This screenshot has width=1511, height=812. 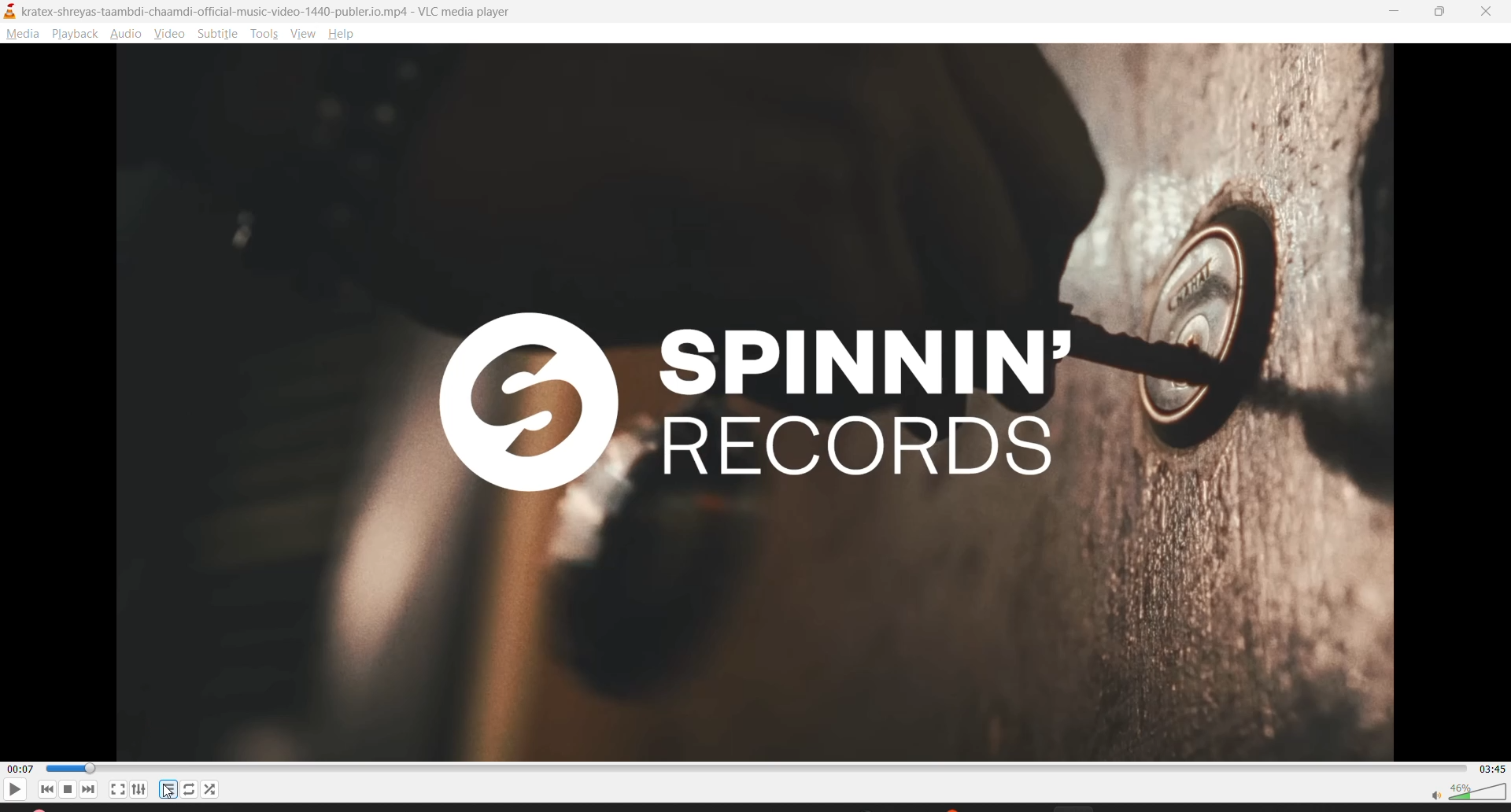 What do you see at coordinates (19, 768) in the screenshot?
I see `current track time` at bounding box center [19, 768].